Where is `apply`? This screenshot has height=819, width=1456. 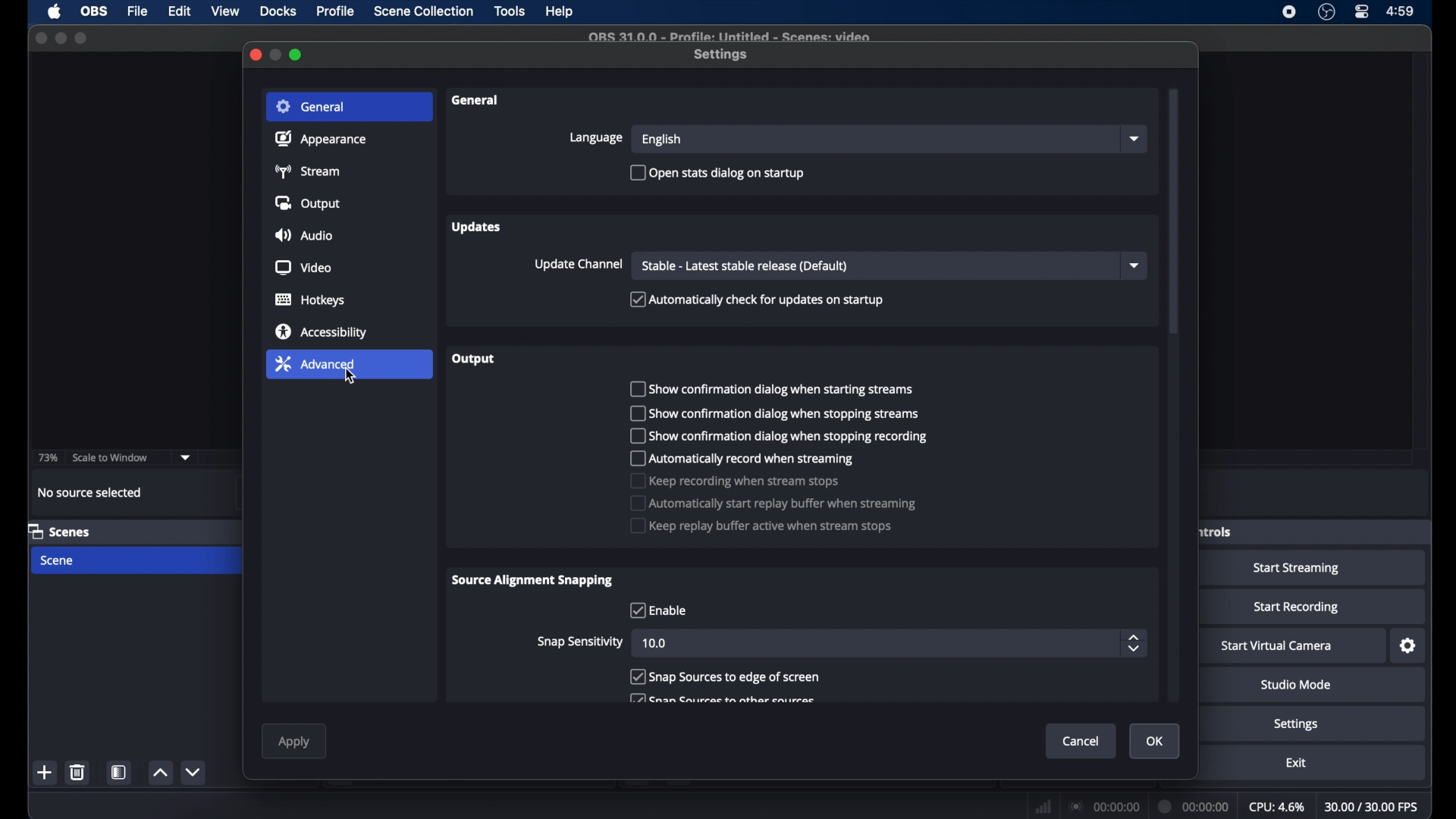 apply is located at coordinates (296, 742).